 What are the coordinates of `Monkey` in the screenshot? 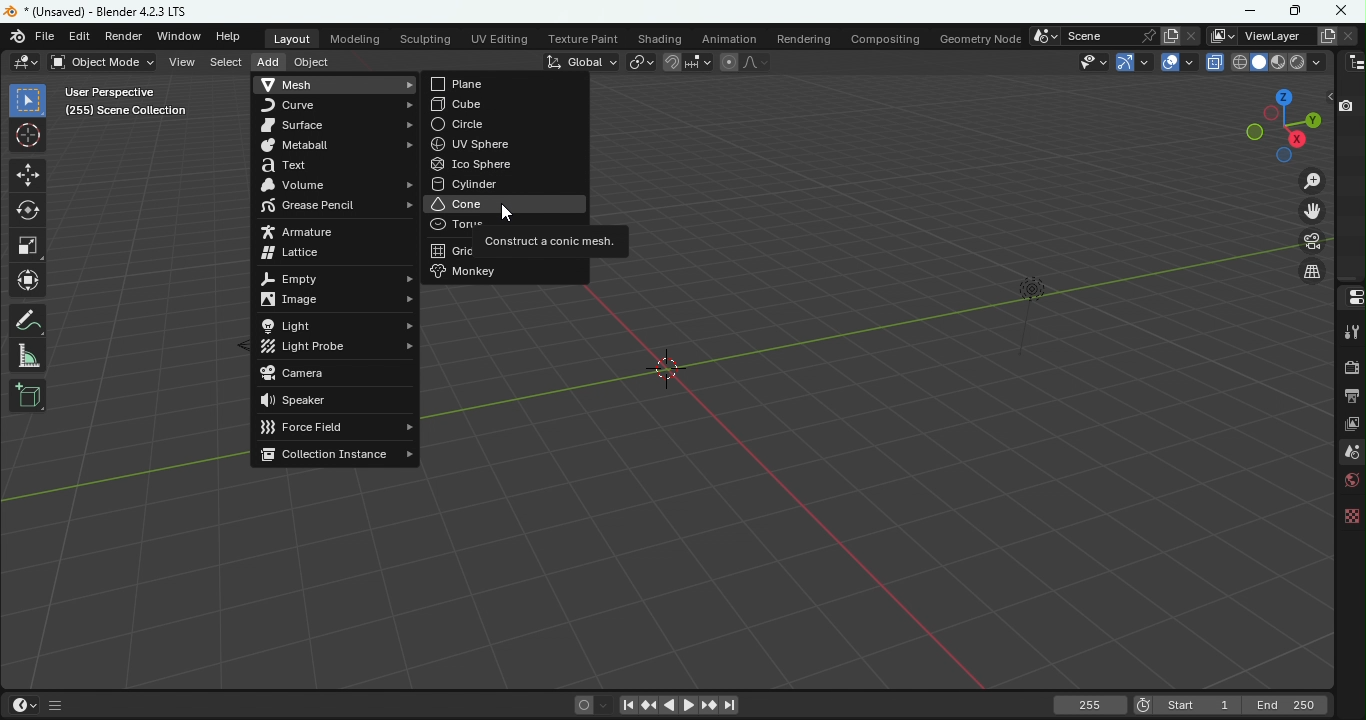 It's located at (503, 270).